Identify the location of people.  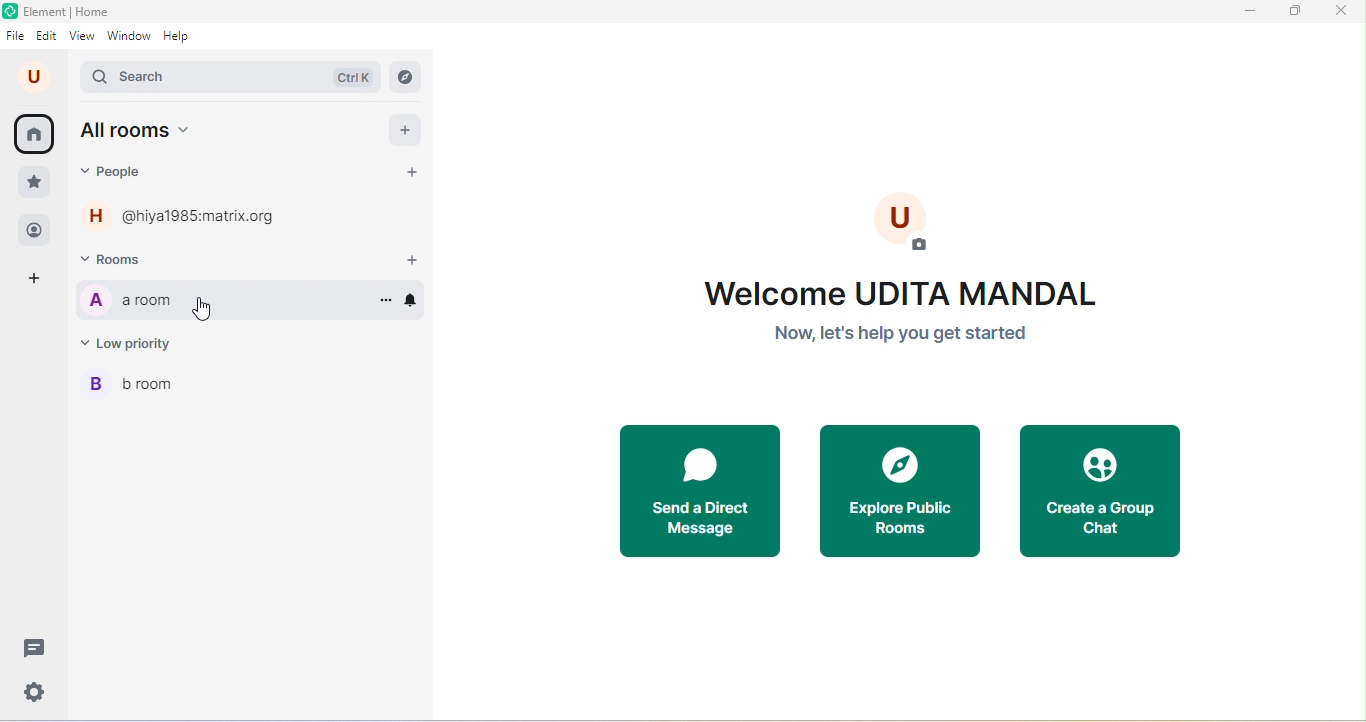
(35, 234).